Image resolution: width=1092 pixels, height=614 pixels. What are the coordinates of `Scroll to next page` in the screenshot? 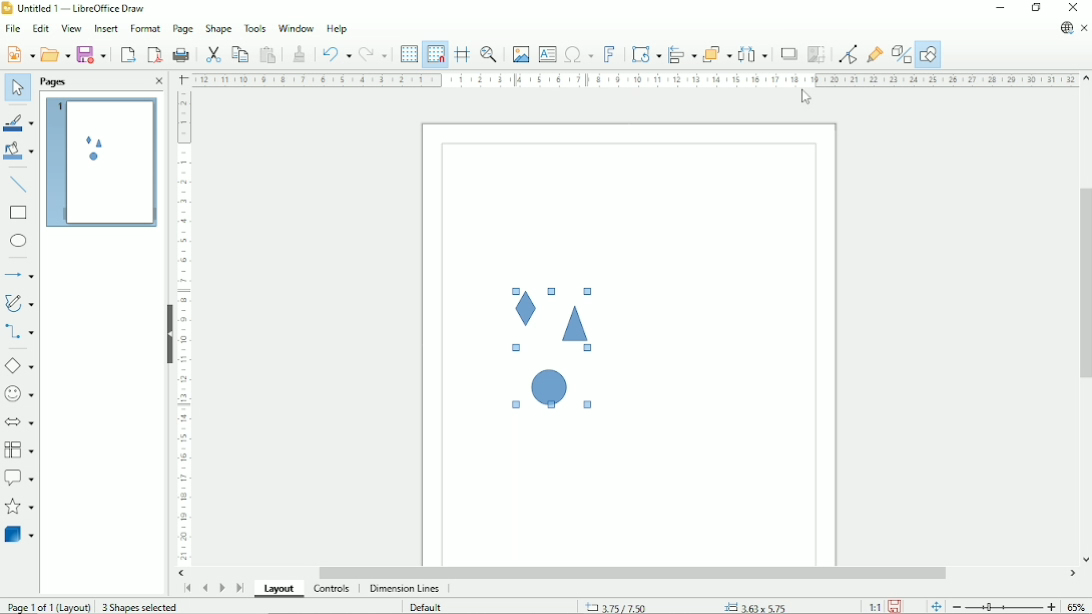 It's located at (221, 587).